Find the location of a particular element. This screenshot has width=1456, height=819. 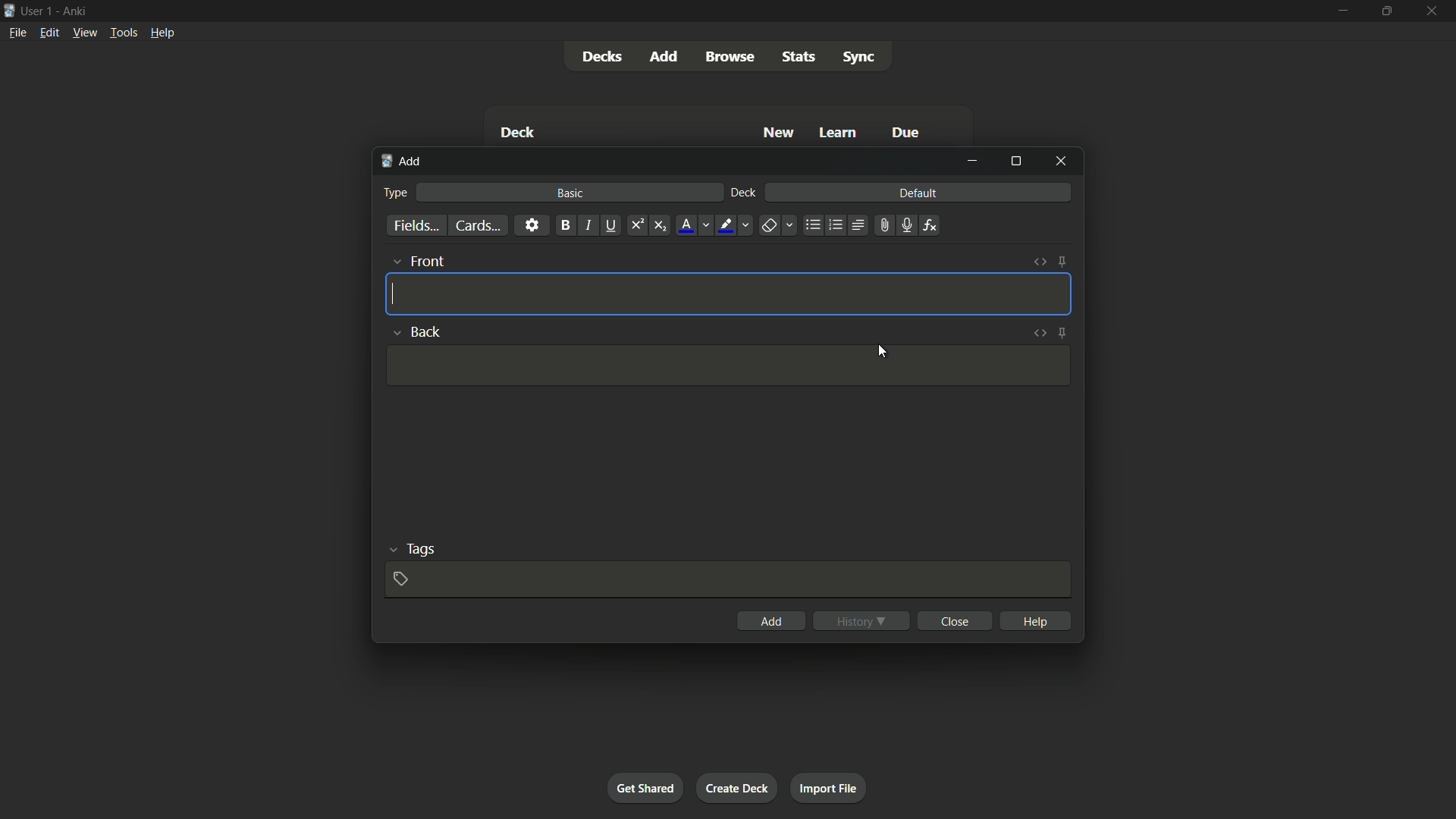

basic is located at coordinates (568, 193).